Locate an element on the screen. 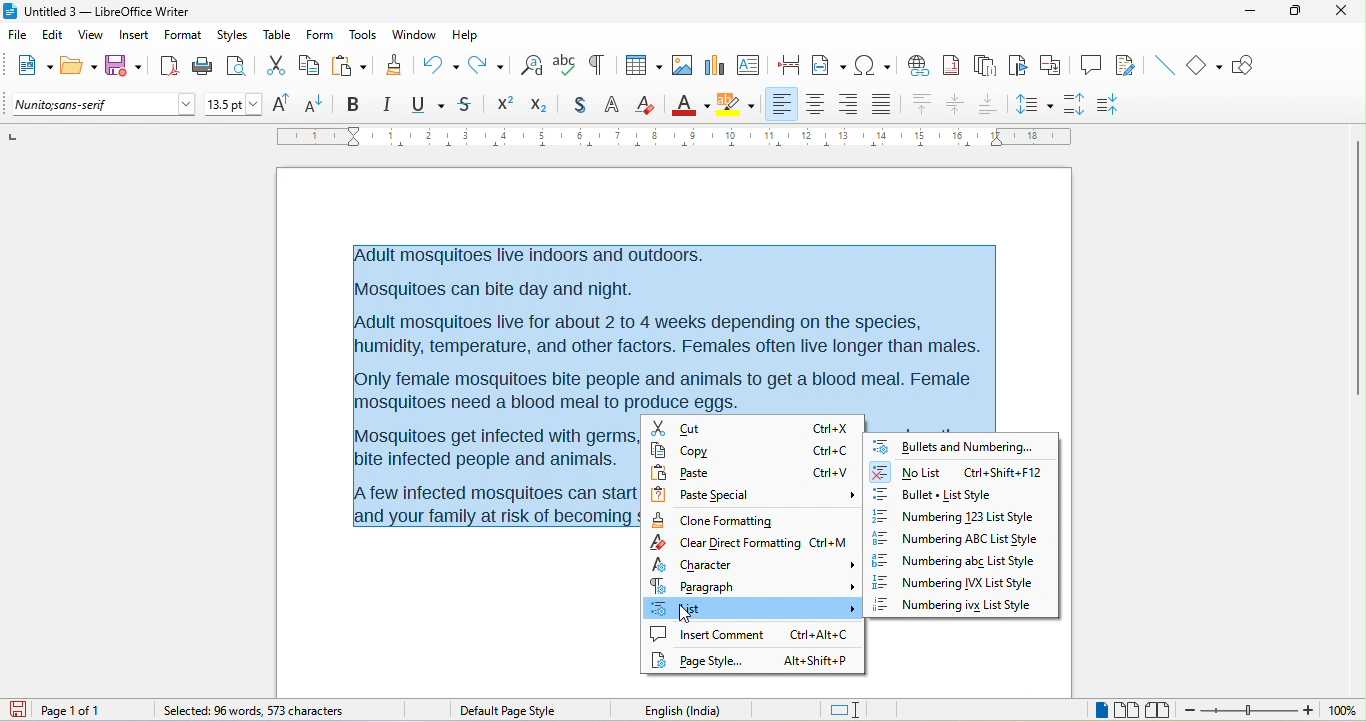 The image size is (1366, 722). paste is located at coordinates (751, 473).